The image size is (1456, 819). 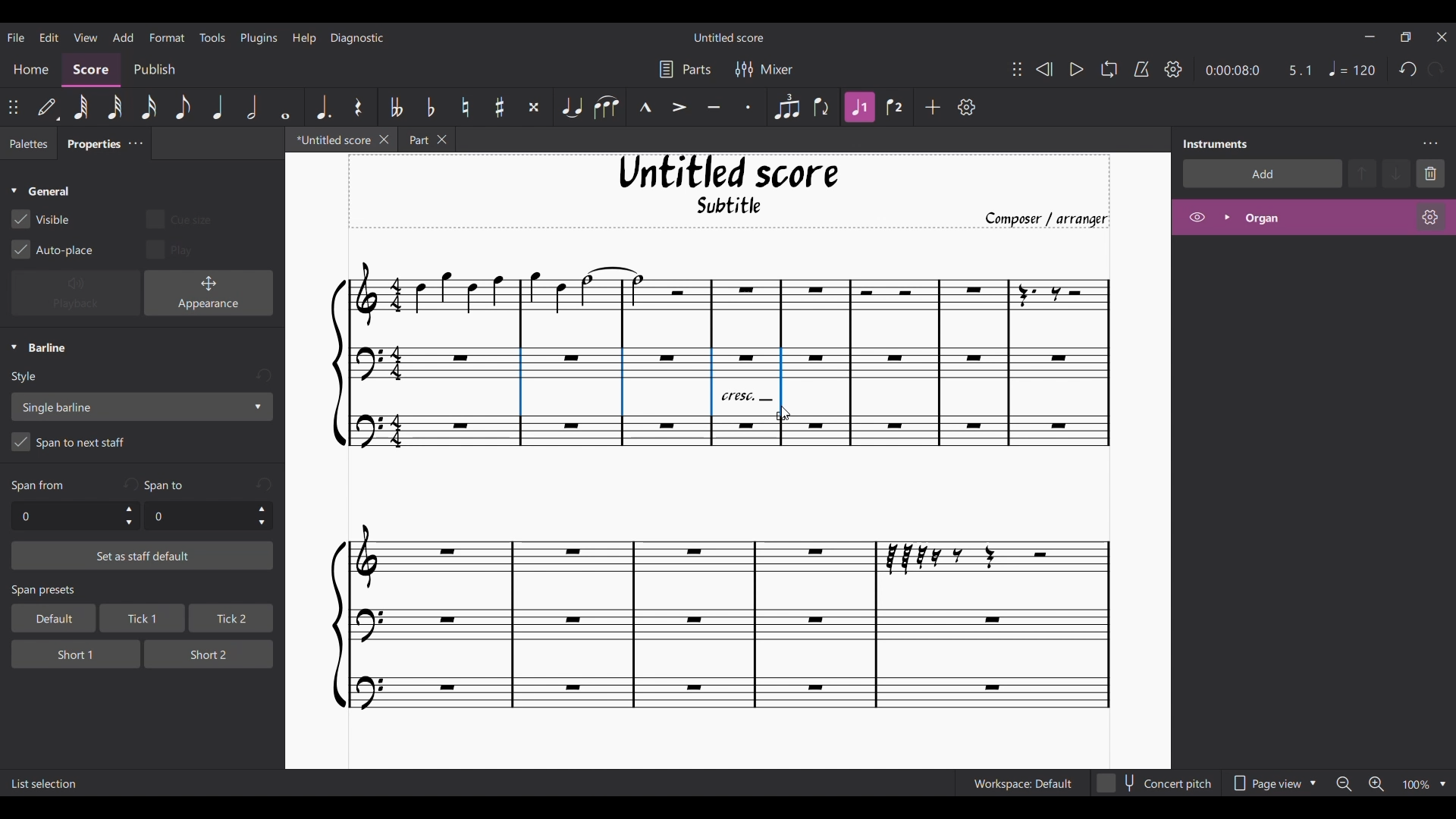 I want to click on Change position of toolbar attached, so click(x=1016, y=69).